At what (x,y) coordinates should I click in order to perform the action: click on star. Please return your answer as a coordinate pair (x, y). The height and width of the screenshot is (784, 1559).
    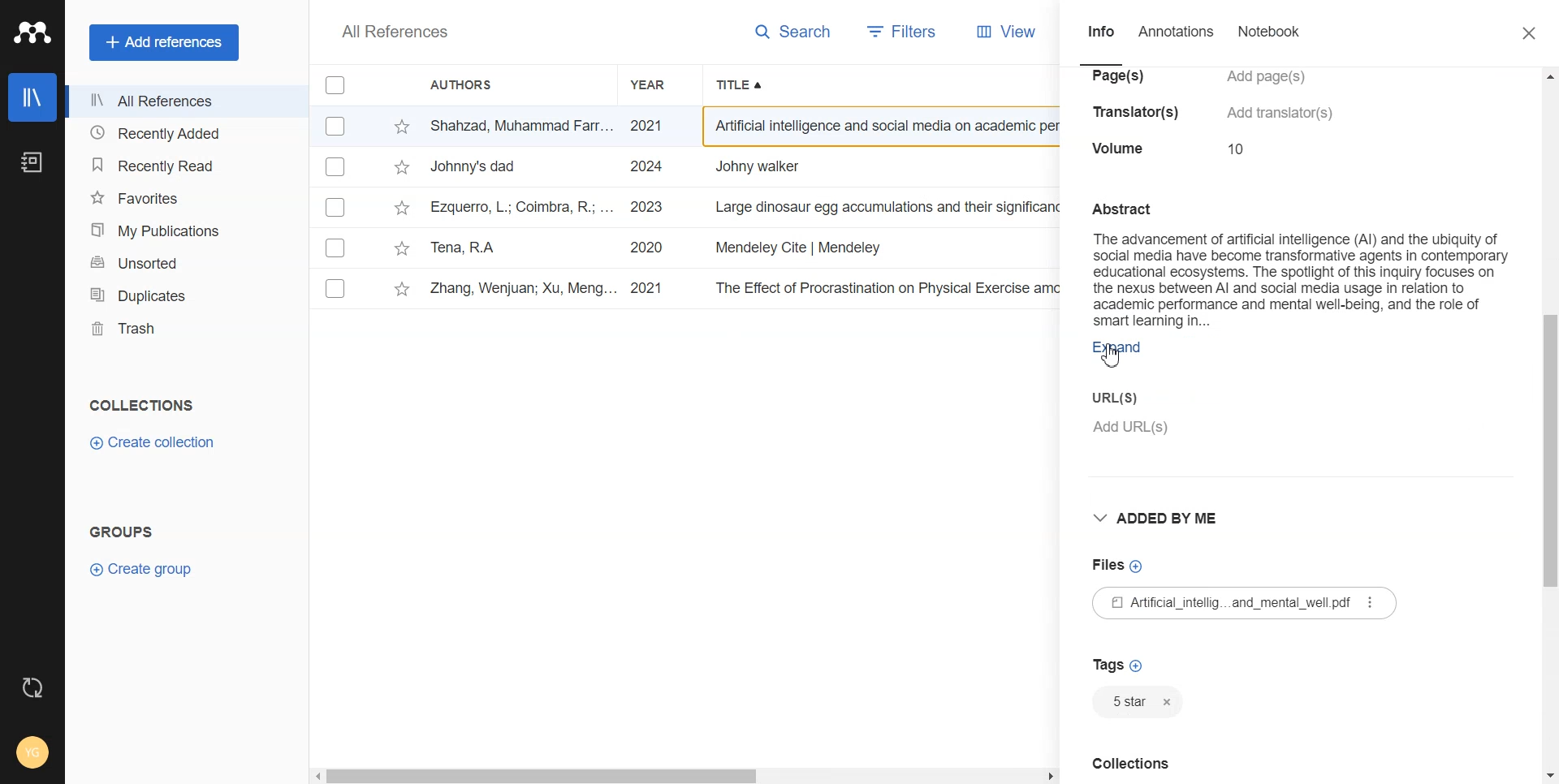
    Looking at the image, I should click on (403, 207).